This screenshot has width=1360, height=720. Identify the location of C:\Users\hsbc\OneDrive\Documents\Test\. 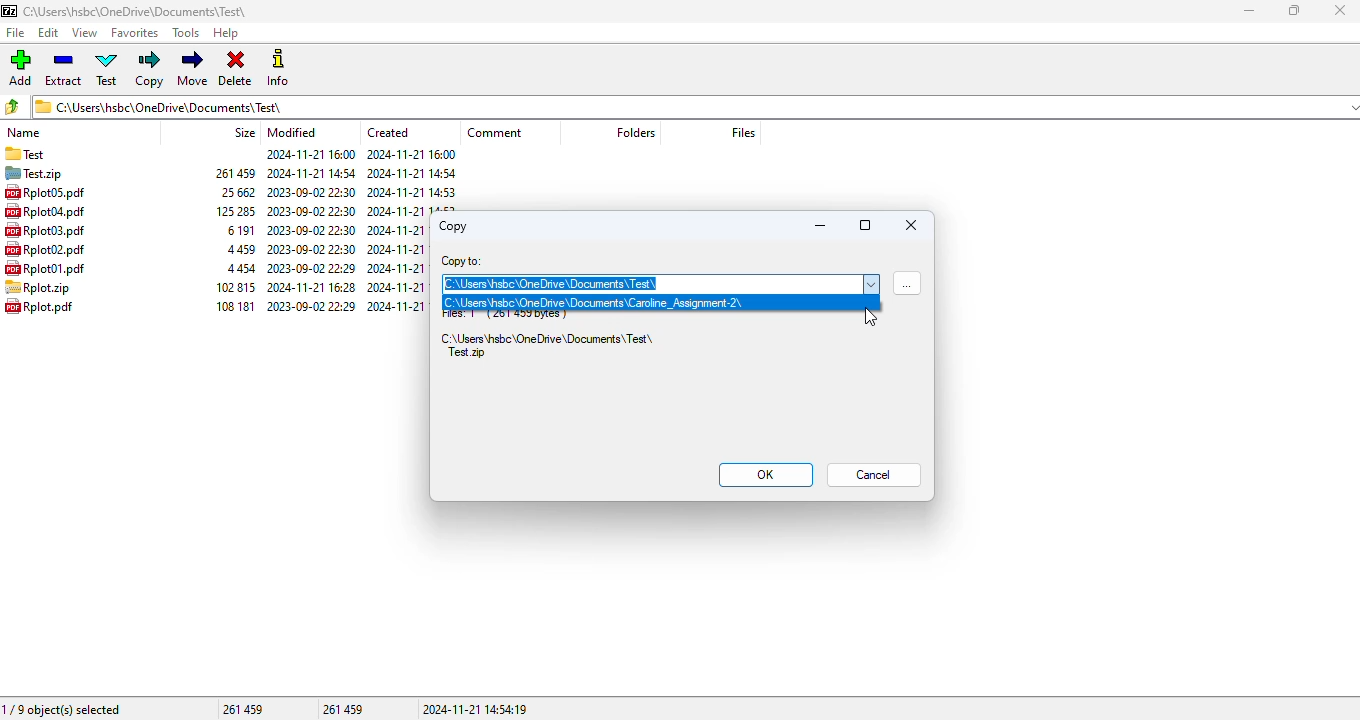
(552, 283).